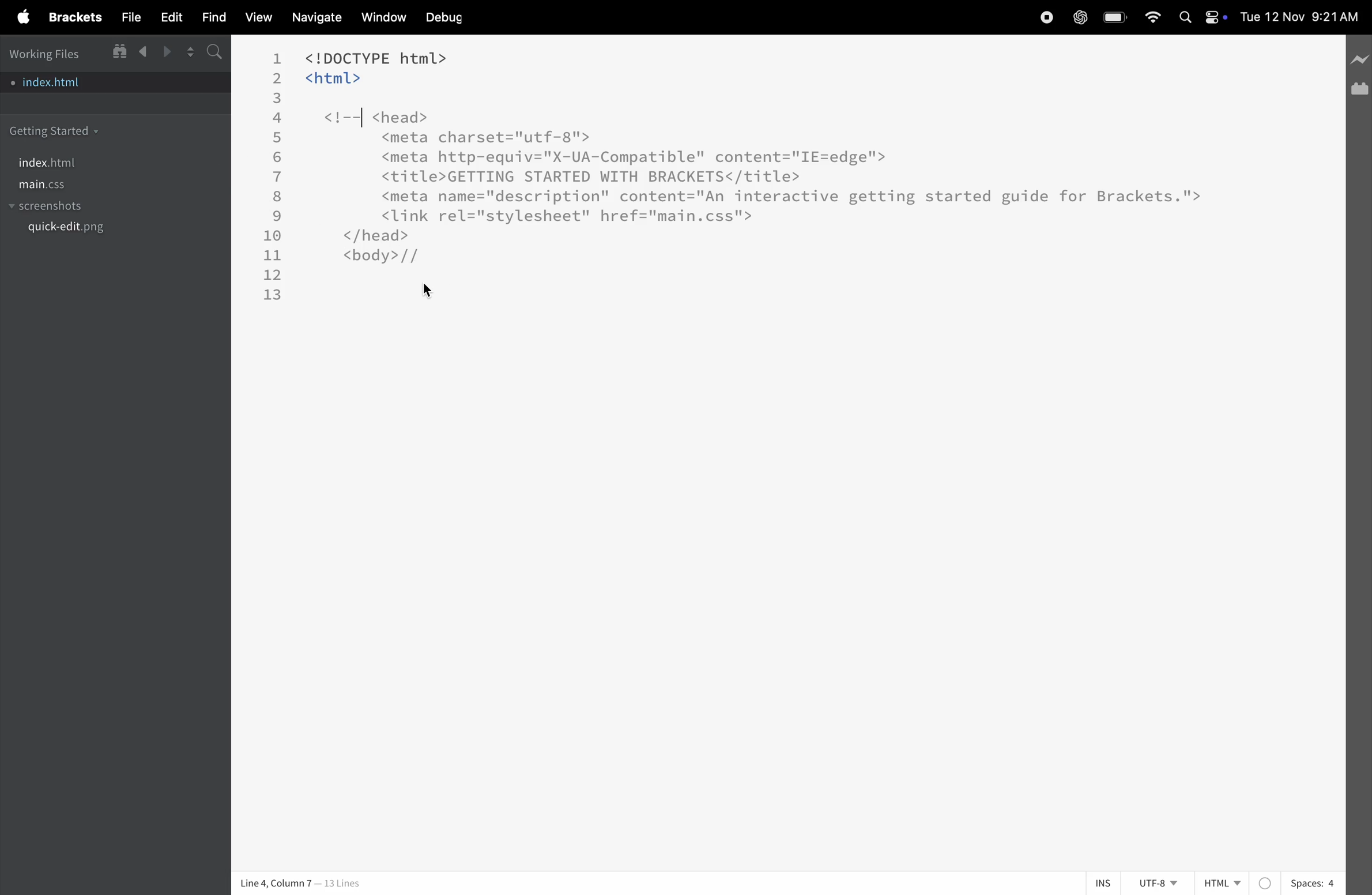 The height and width of the screenshot is (895, 1372). I want to click on forward, so click(165, 52).